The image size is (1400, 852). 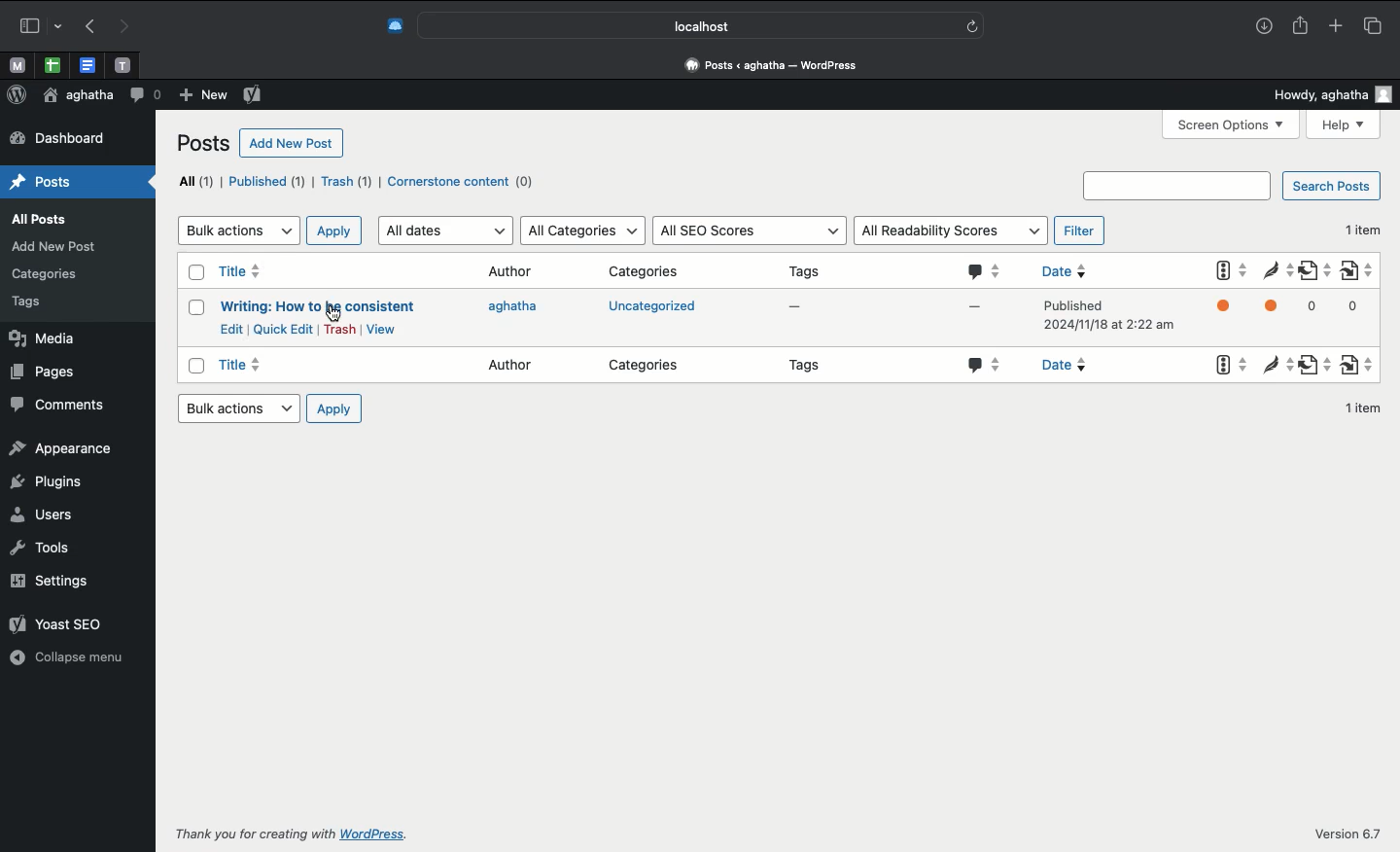 What do you see at coordinates (122, 28) in the screenshot?
I see `Next page` at bounding box center [122, 28].